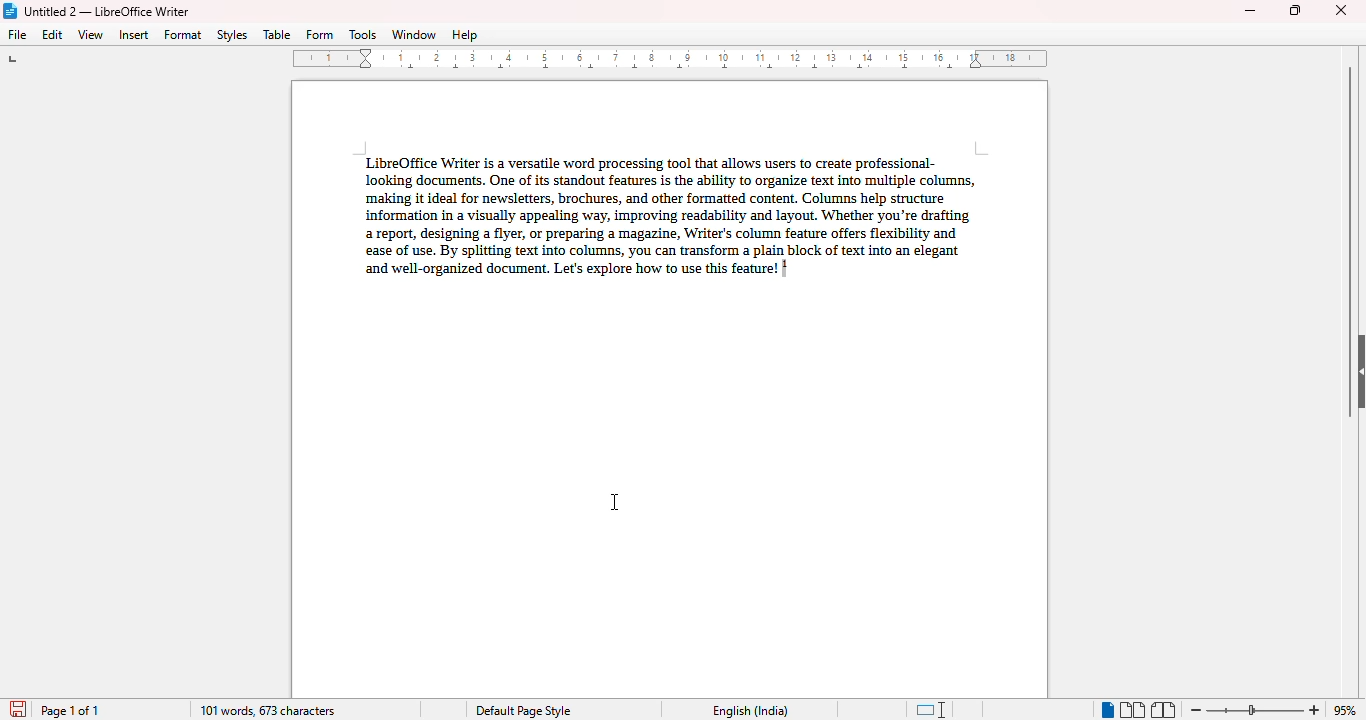 The width and height of the screenshot is (1366, 720). Describe the element at coordinates (673, 59) in the screenshot. I see `ruler` at that location.